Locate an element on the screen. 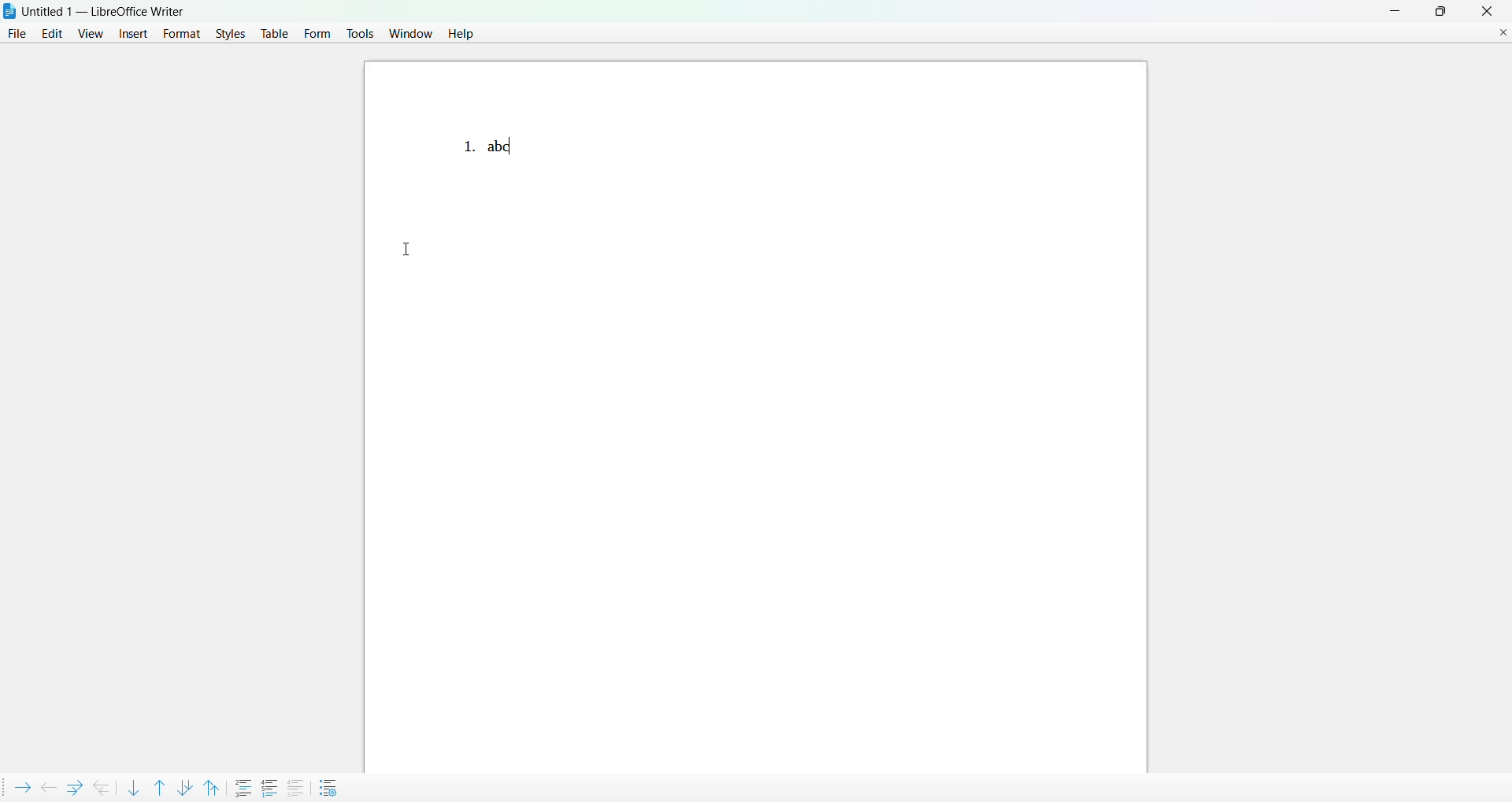 Image resolution: width=1512 pixels, height=802 pixels. demote outline level is located at coordinates (20, 785).